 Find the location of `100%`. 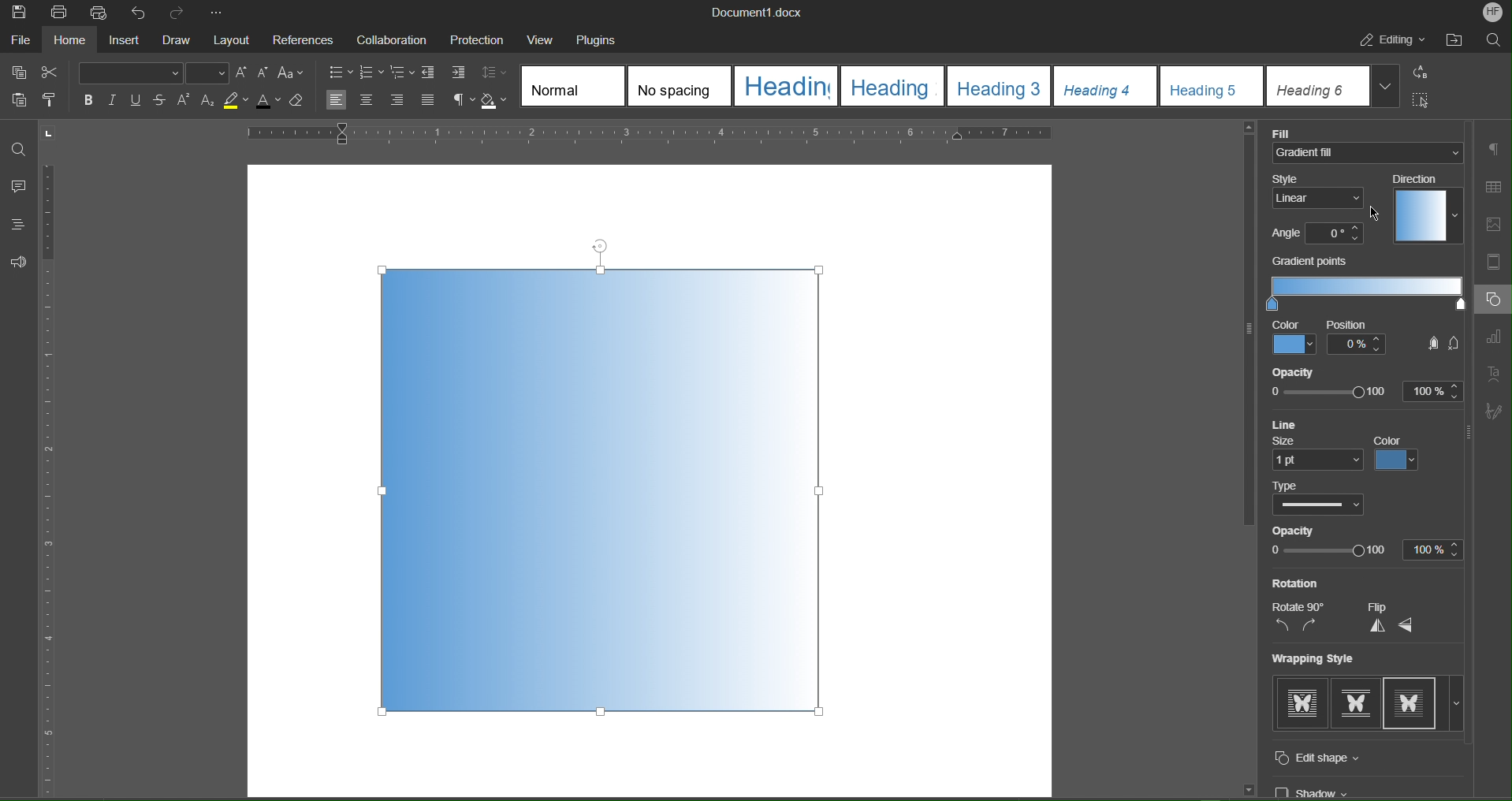

100% is located at coordinates (1436, 551).